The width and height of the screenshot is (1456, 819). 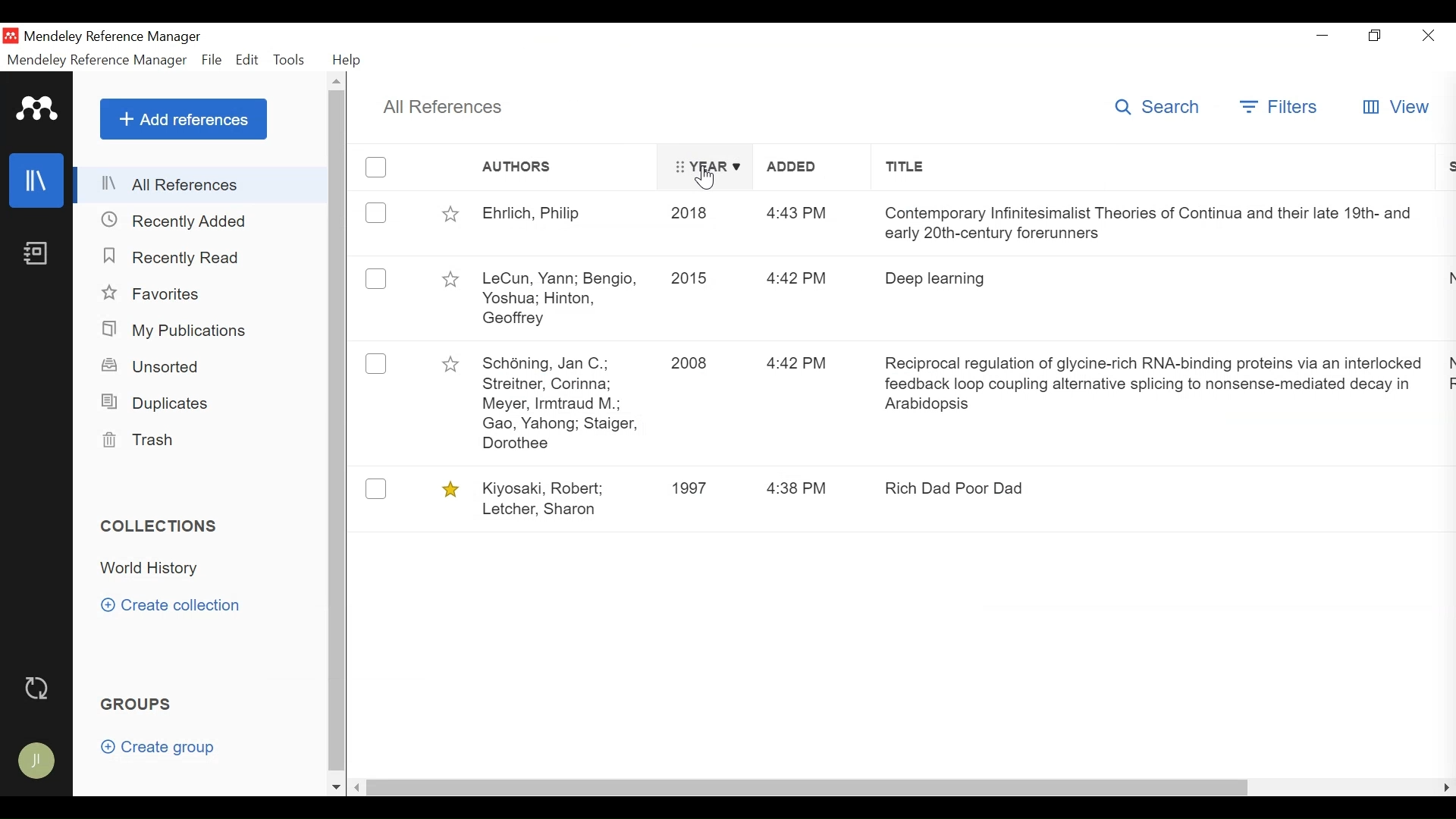 What do you see at coordinates (1154, 387) in the screenshot?
I see `Reciprocal regulation of glycine-rich RNA-binding proteins via an interlocked feedback loop coupling alternative splicing to nonsense-mediated decay in Arabidopsis` at bounding box center [1154, 387].